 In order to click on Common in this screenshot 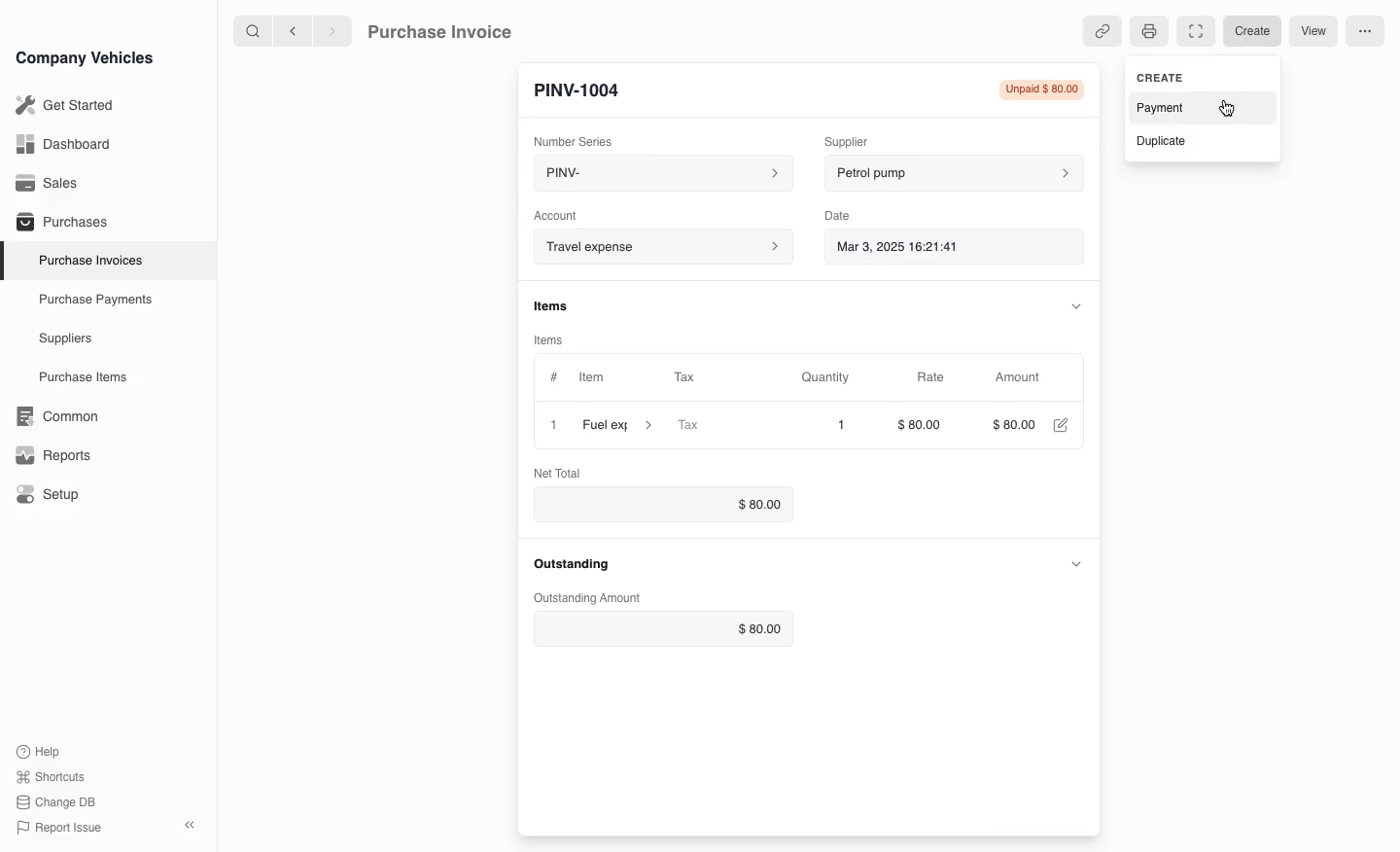, I will do `click(52, 416)`.